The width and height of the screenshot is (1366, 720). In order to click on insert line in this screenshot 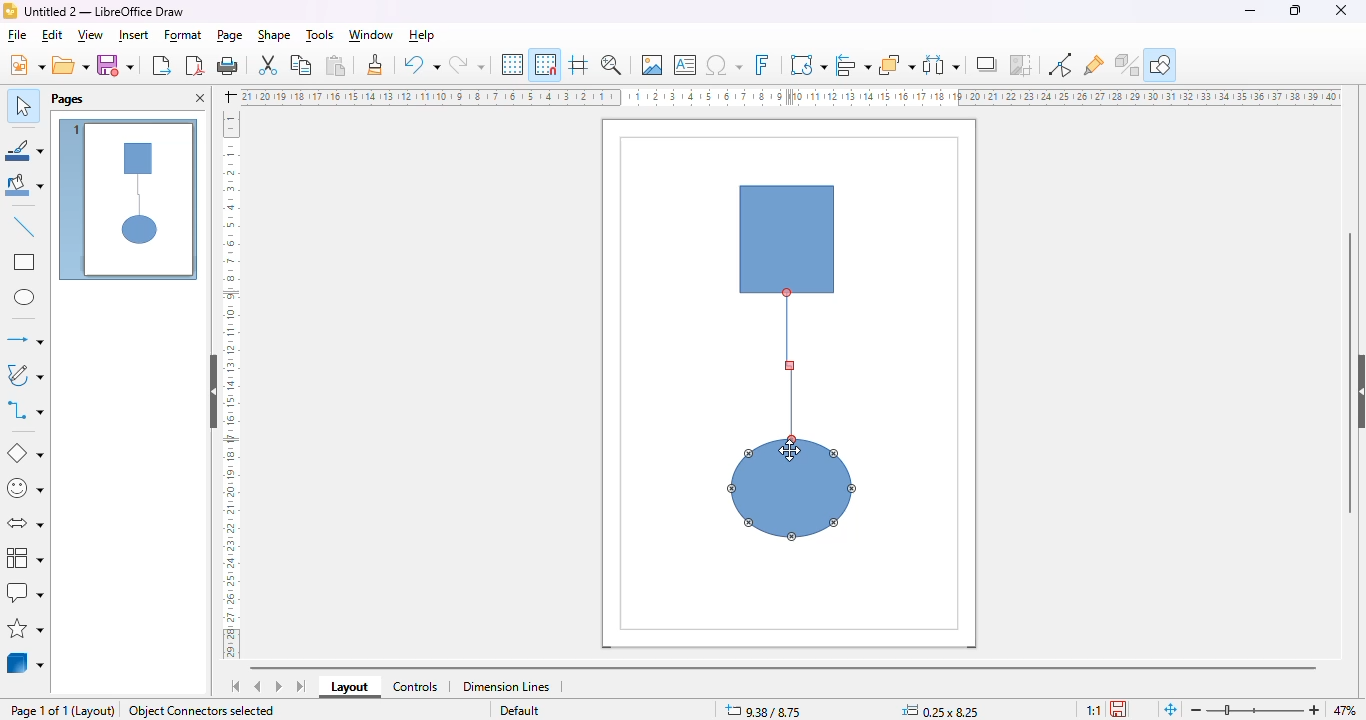, I will do `click(25, 226)`.